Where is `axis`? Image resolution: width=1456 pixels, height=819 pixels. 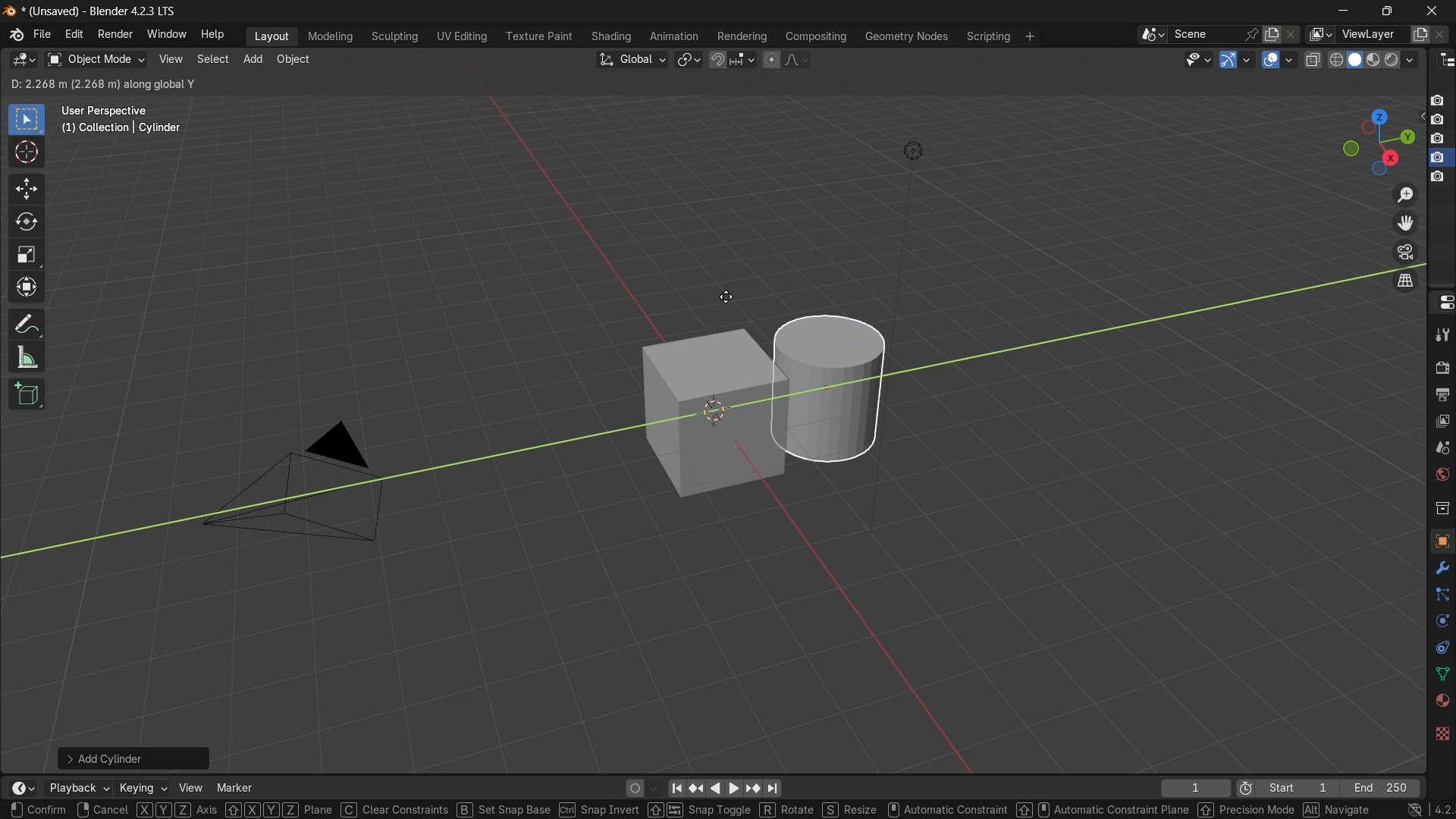 axis is located at coordinates (177, 810).